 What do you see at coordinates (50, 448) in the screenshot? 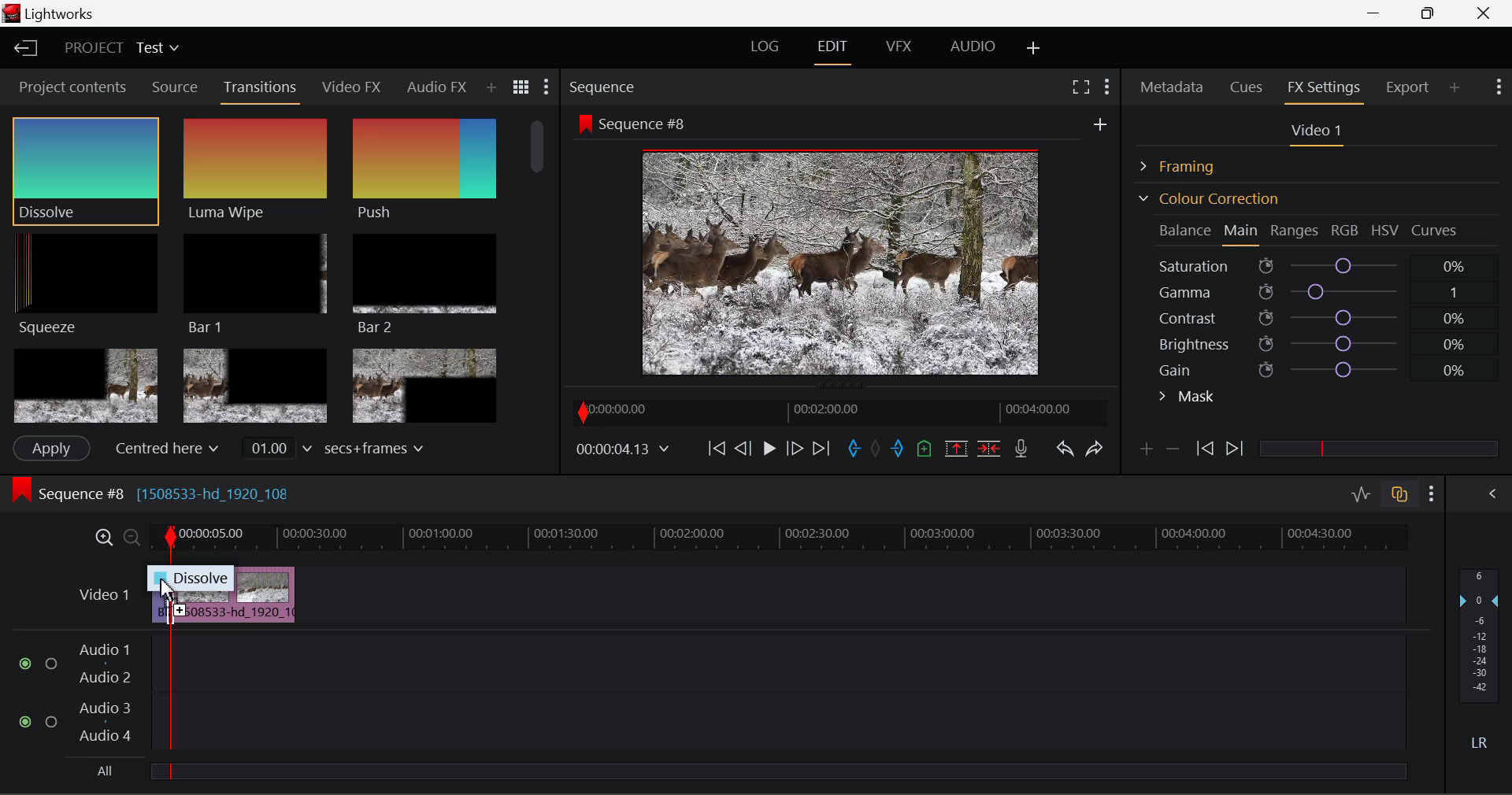
I see `Apply` at bounding box center [50, 448].